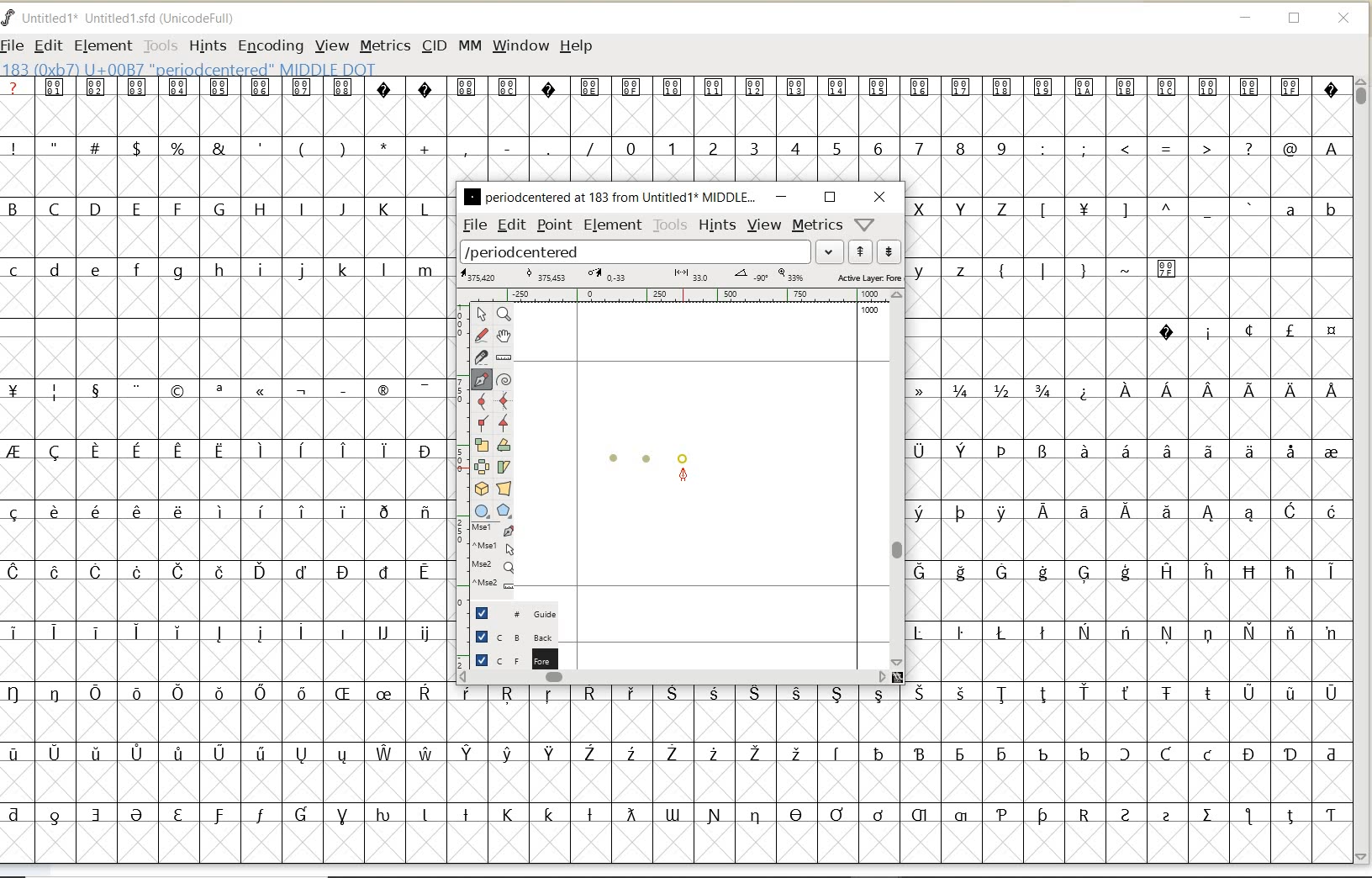 The height and width of the screenshot is (878, 1372). I want to click on numbers, so click(812, 147).